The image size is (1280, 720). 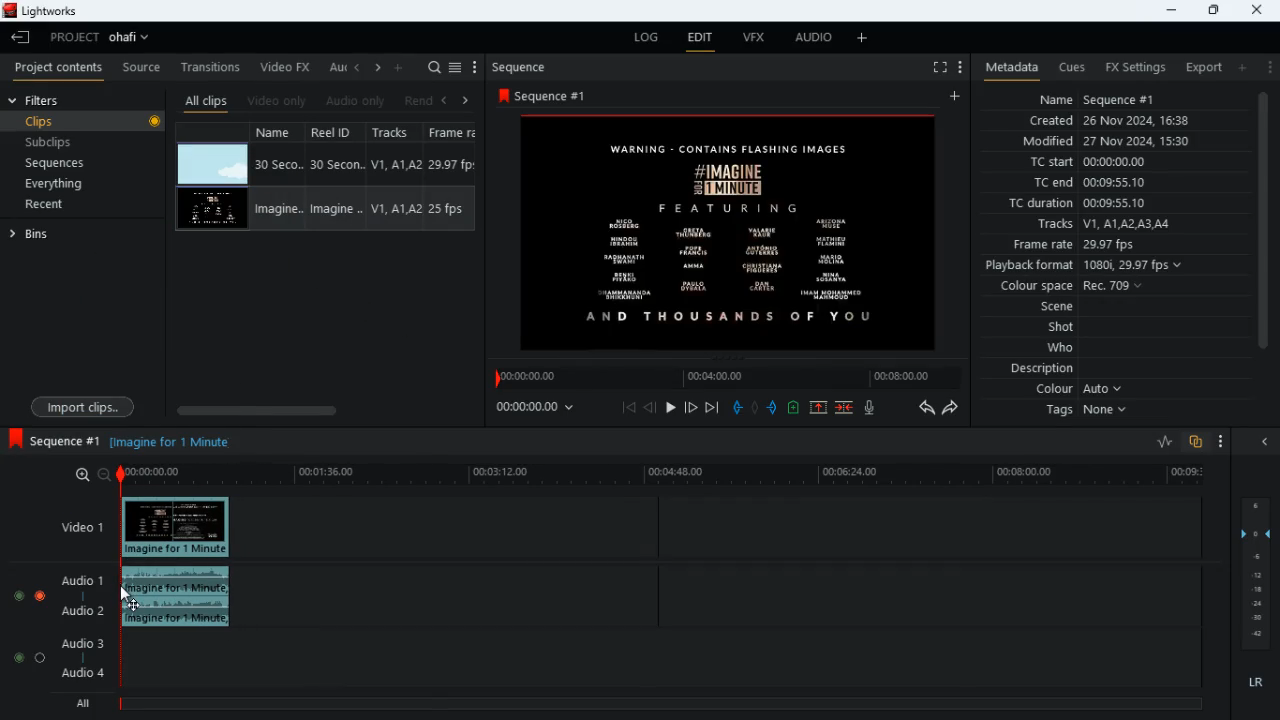 I want to click on close, so click(x=1259, y=9).